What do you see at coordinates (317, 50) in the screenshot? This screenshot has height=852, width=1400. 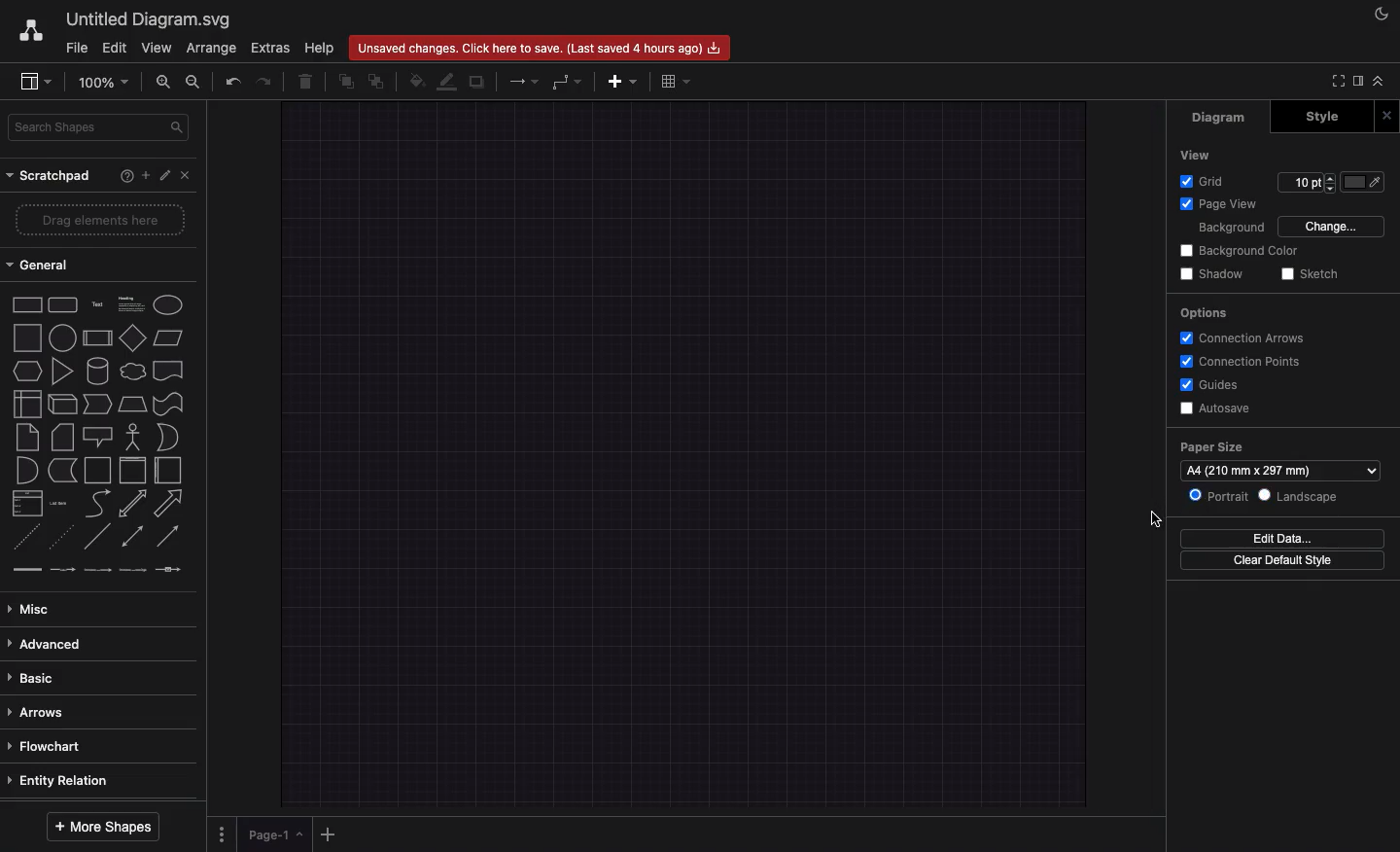 I see `Help` at bounding box center [317, 50].